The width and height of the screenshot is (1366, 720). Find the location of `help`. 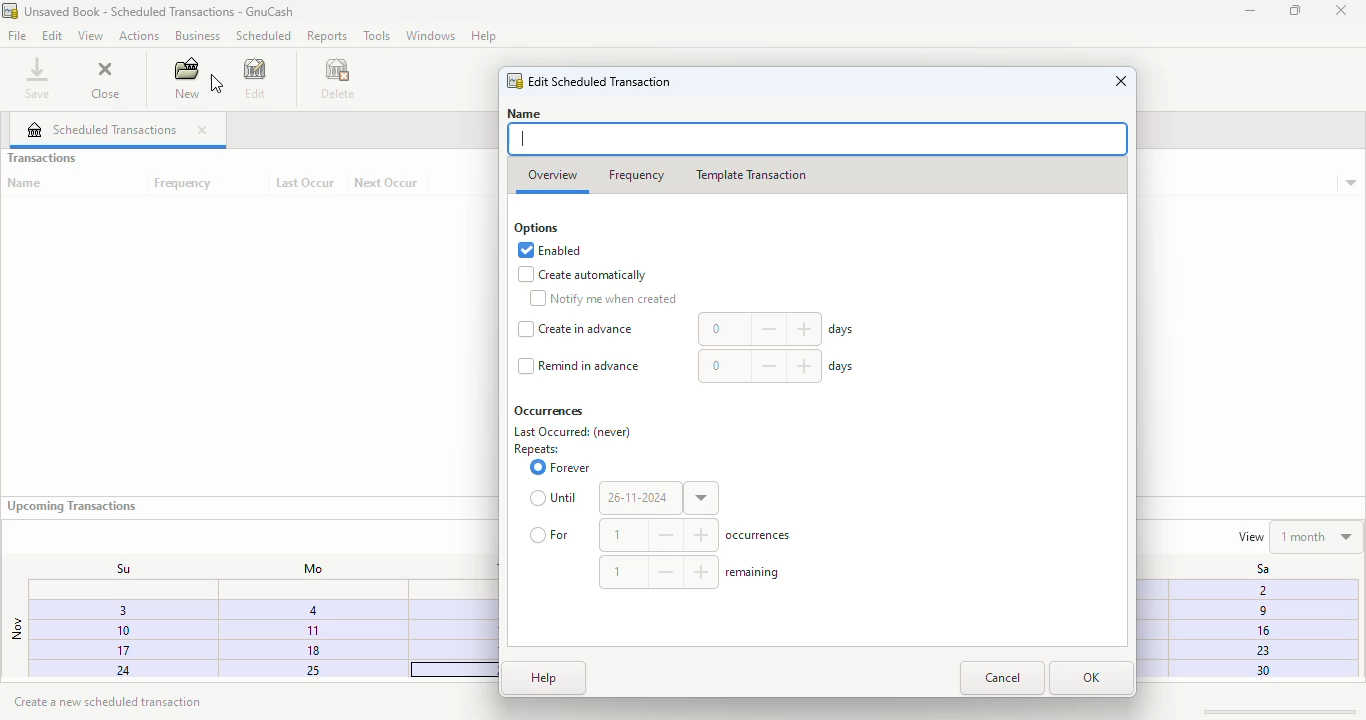

help is located at coordinates (544, 678).